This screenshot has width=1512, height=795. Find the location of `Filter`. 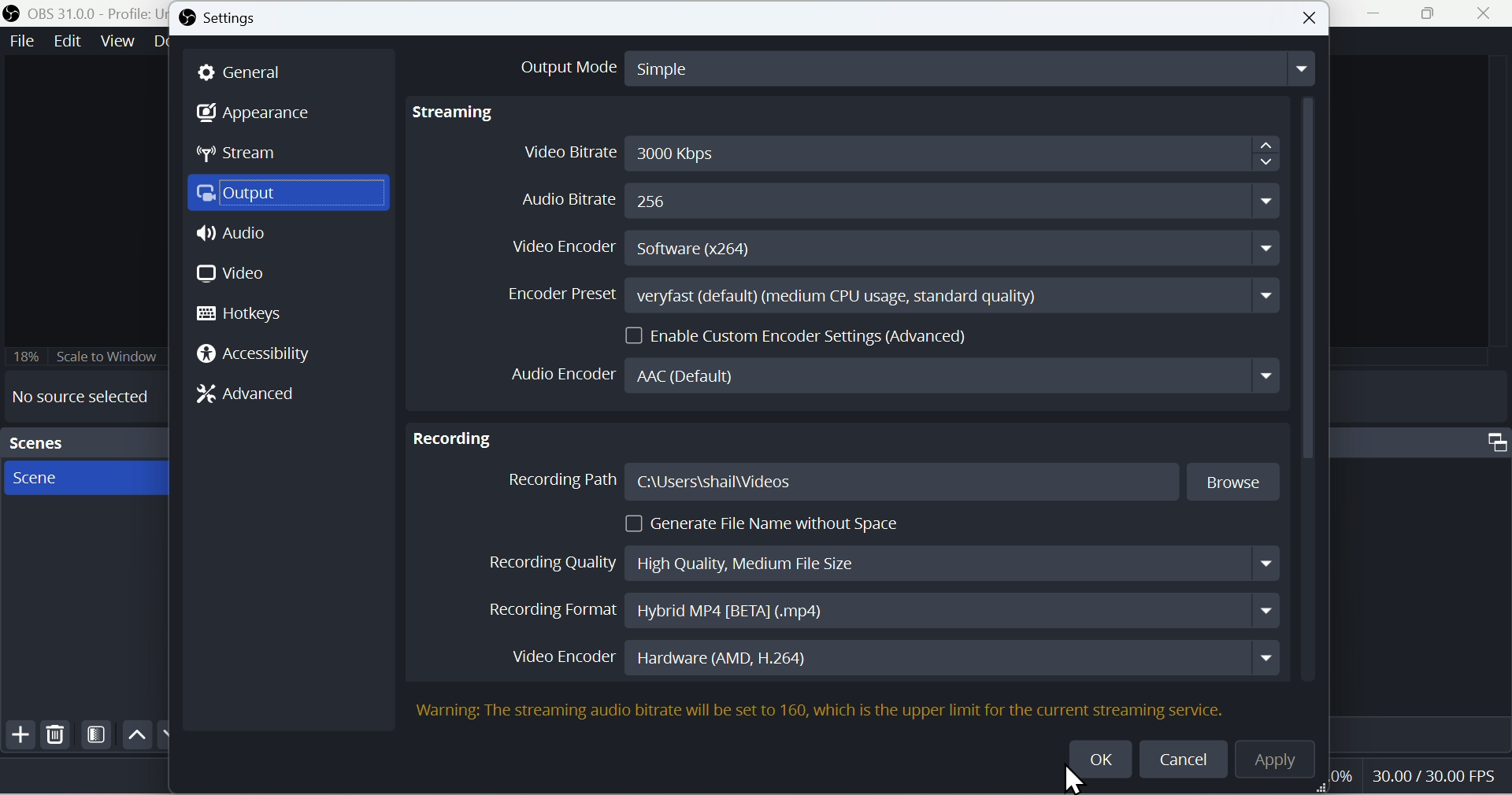

Filter is located at coordinates (97, 738).